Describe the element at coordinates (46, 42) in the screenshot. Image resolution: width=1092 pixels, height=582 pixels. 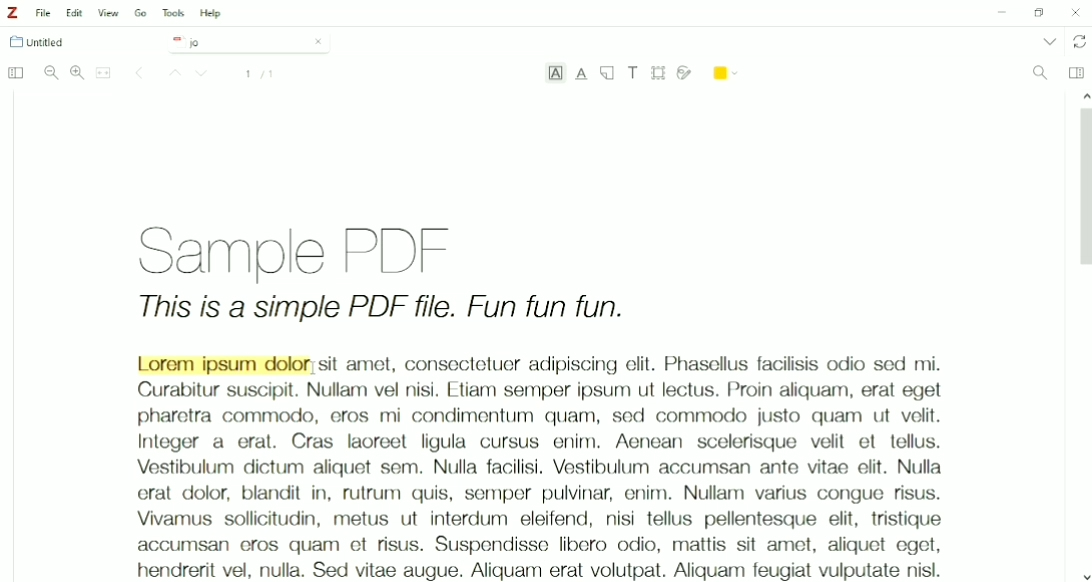
I see `Untitled` at that location.